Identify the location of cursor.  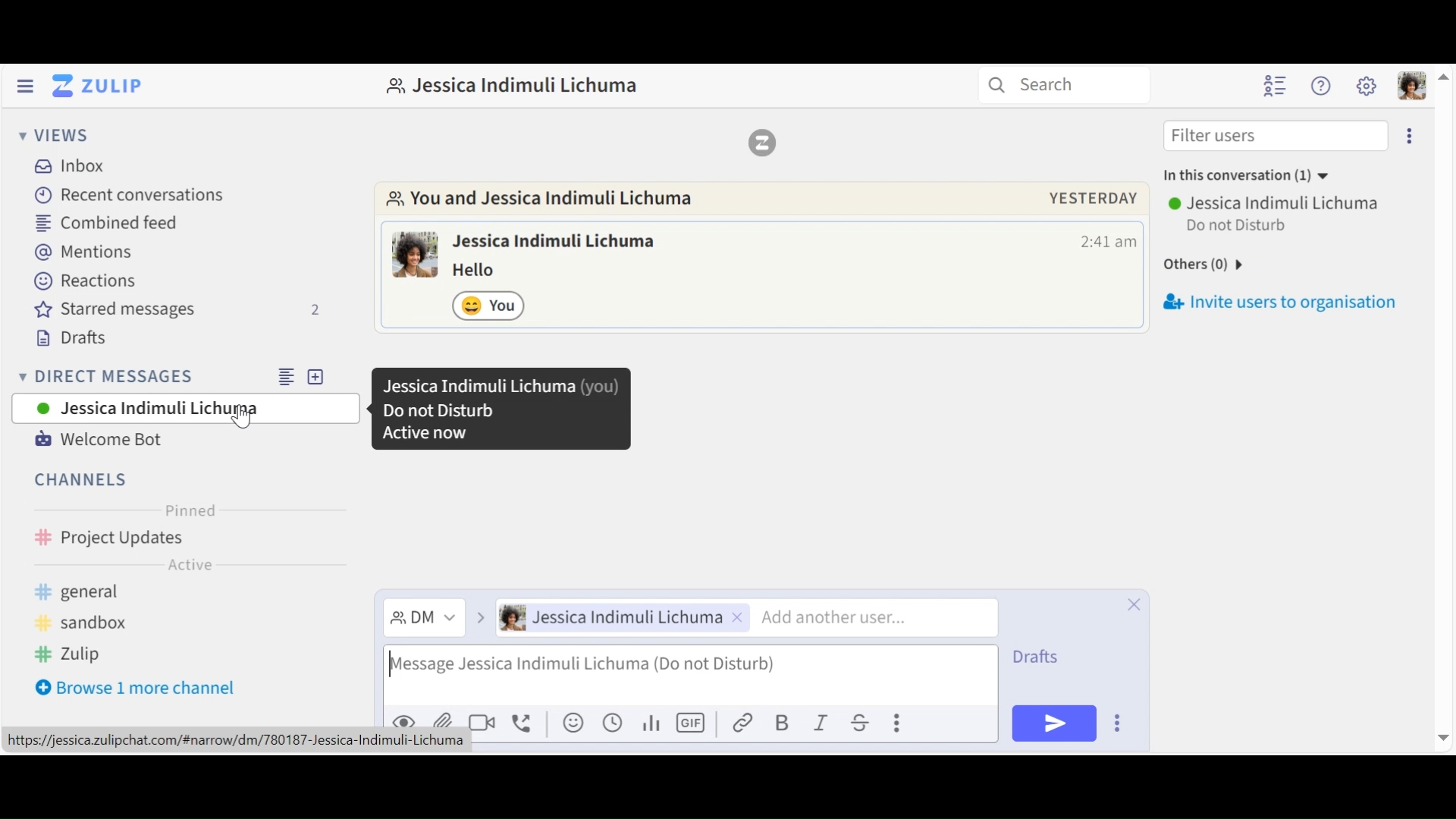
(240, 419).